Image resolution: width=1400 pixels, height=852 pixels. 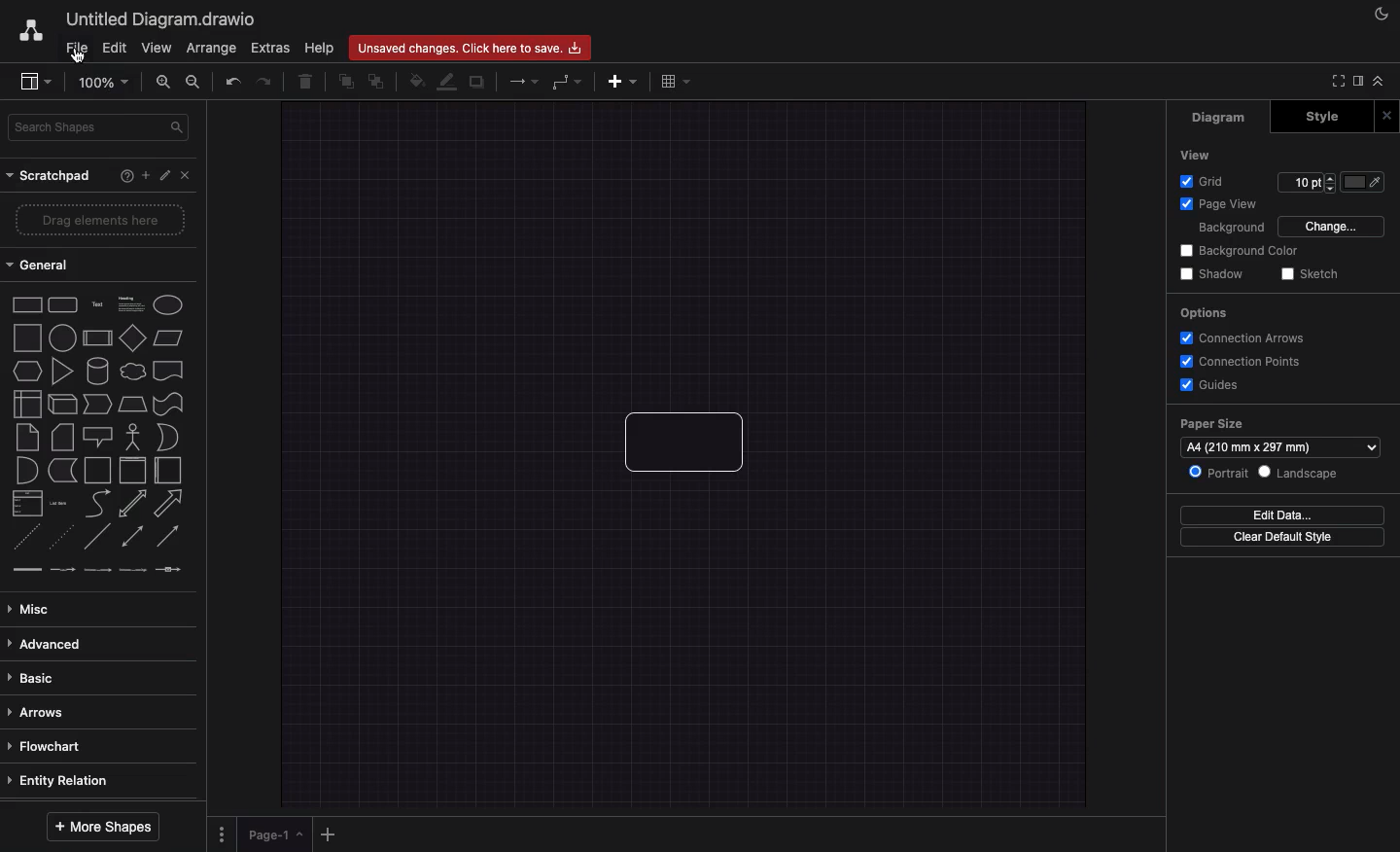 What do you see at coordinates (95, 222) in the screenshot?
I see `Drag elements here` at bounding box center [95, 222].